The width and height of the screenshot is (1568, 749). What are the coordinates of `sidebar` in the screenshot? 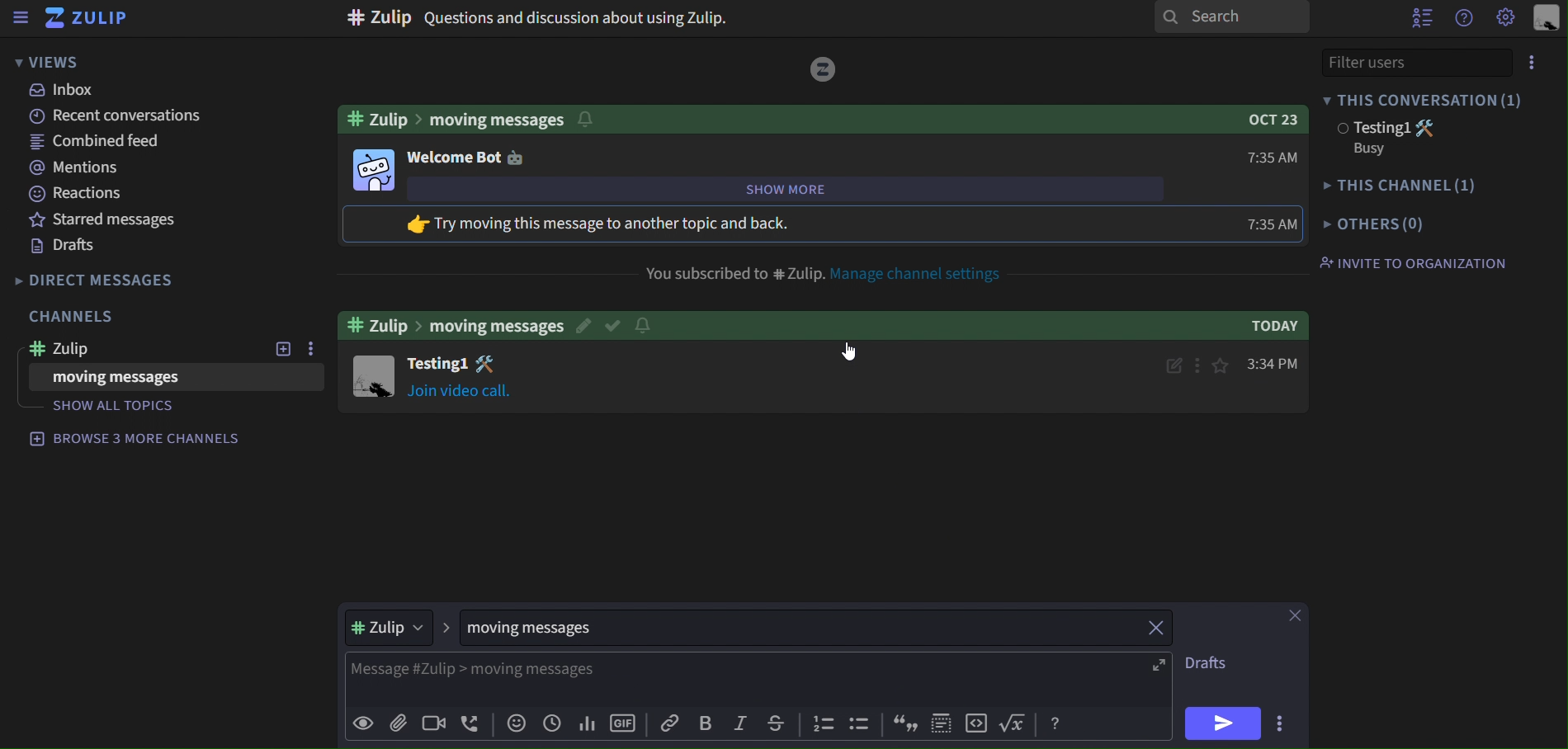 It's located at (20, 18).